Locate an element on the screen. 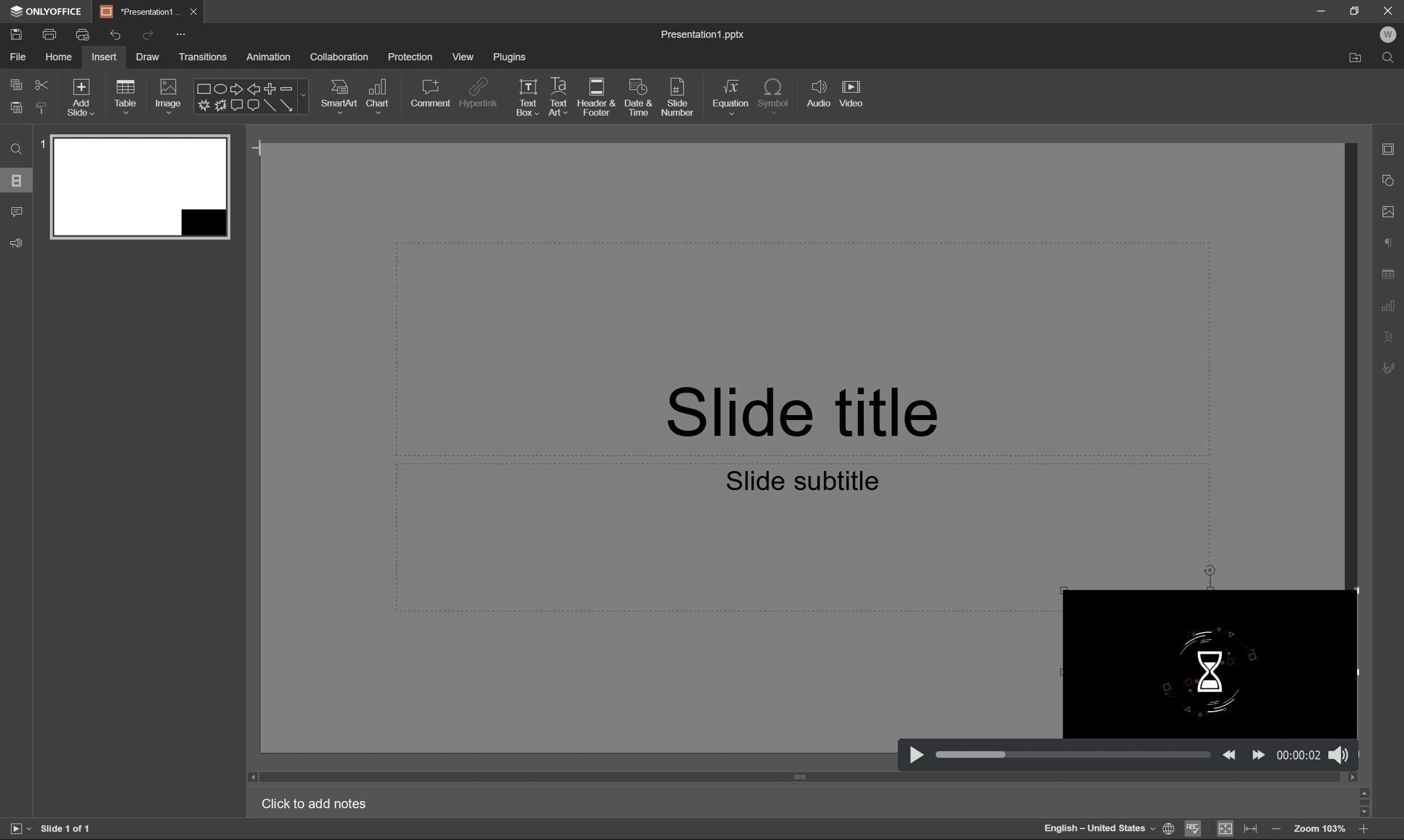 Image resolution: width=1404 pixels, height=840 pixels. restore down is located at coordinates (1355, 8).